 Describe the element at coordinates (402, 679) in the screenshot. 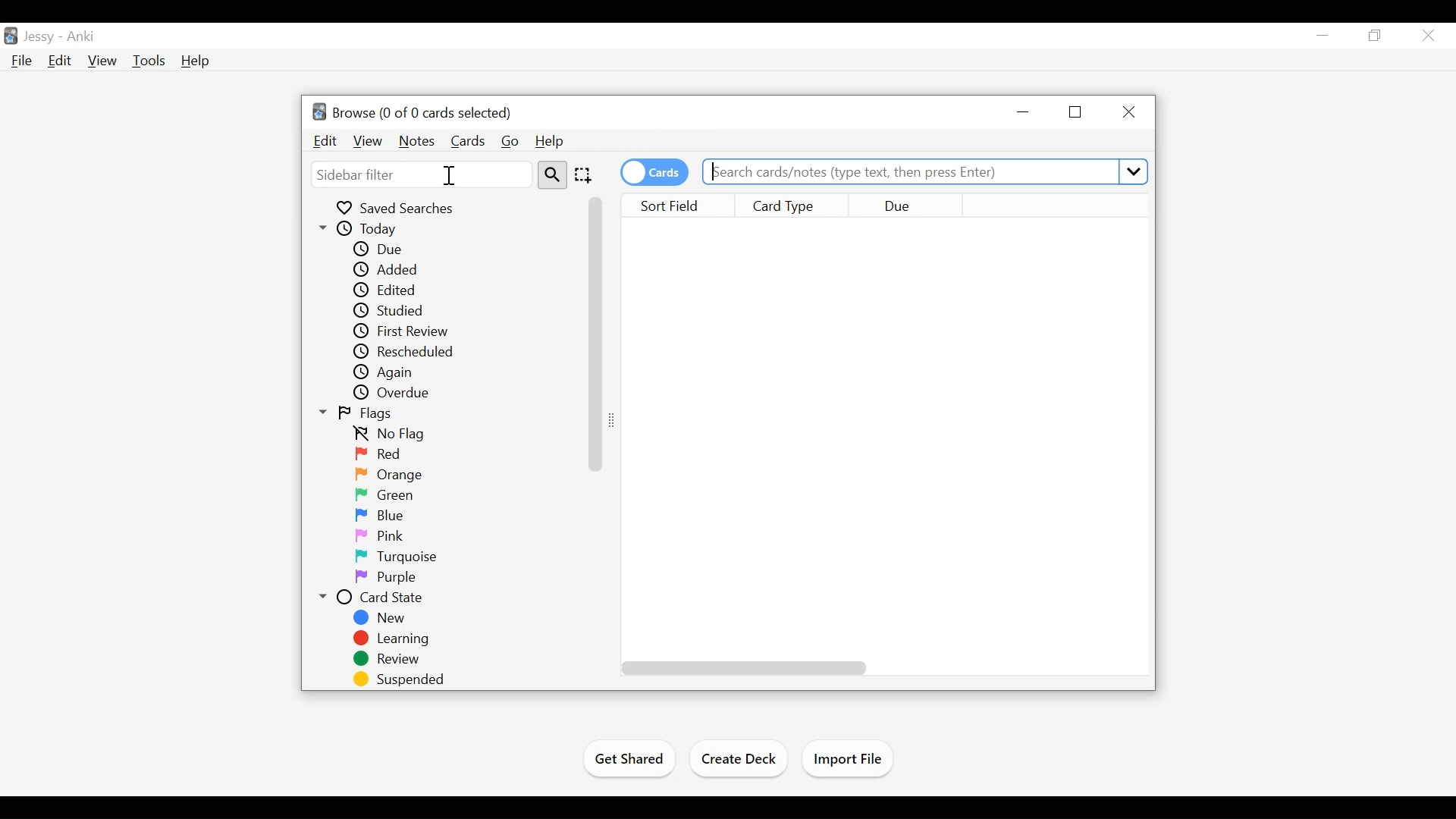

I see `Suspended` at that location.